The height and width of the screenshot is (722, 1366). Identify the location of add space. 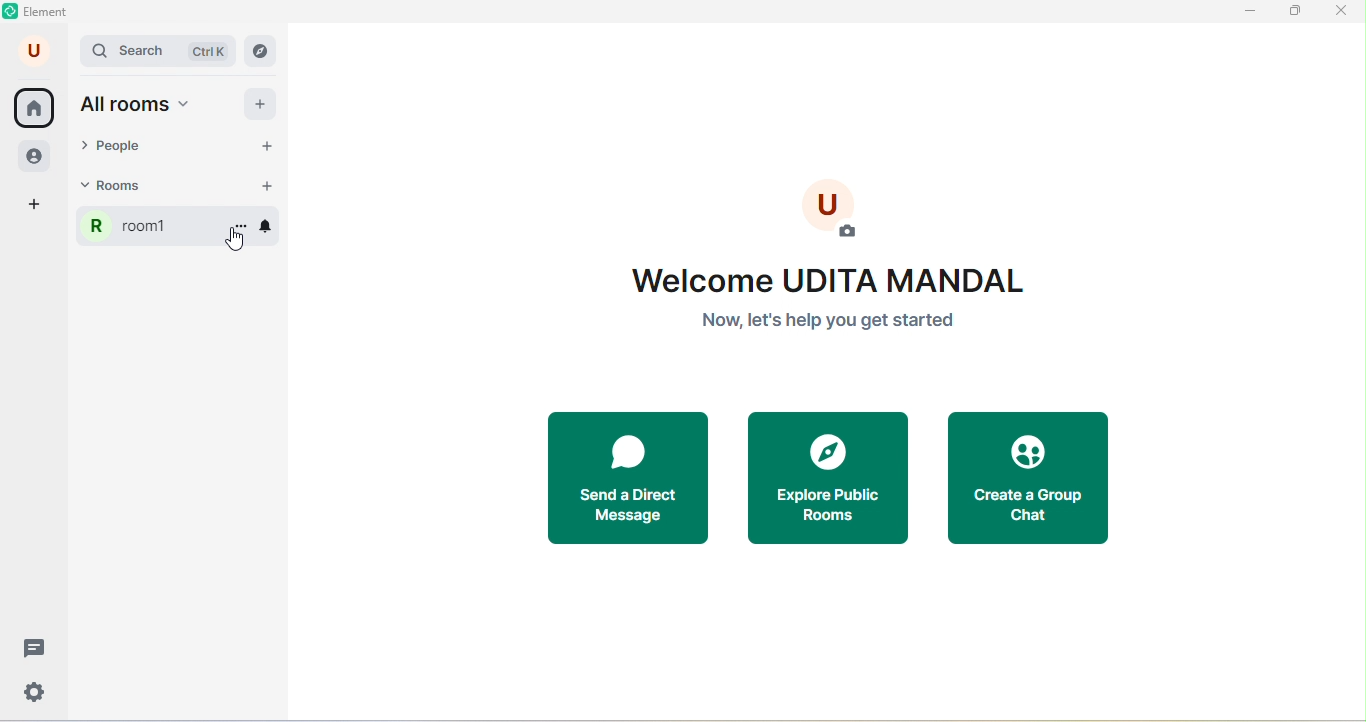
(36, 205).